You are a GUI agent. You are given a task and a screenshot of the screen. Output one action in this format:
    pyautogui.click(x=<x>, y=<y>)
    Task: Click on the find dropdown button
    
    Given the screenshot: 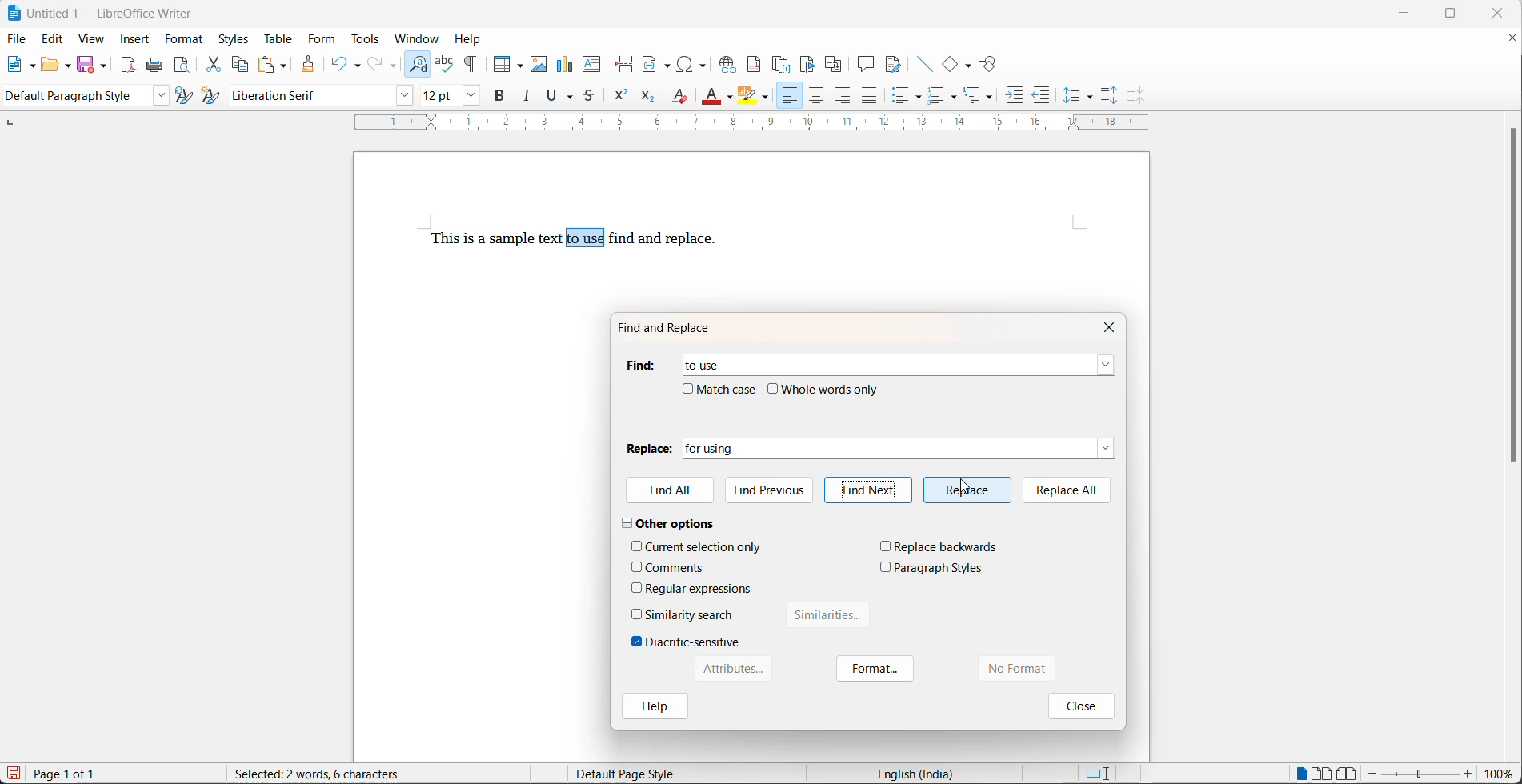 What is the action you would take?
    pyautogui.click(x=1106, y=365)
    